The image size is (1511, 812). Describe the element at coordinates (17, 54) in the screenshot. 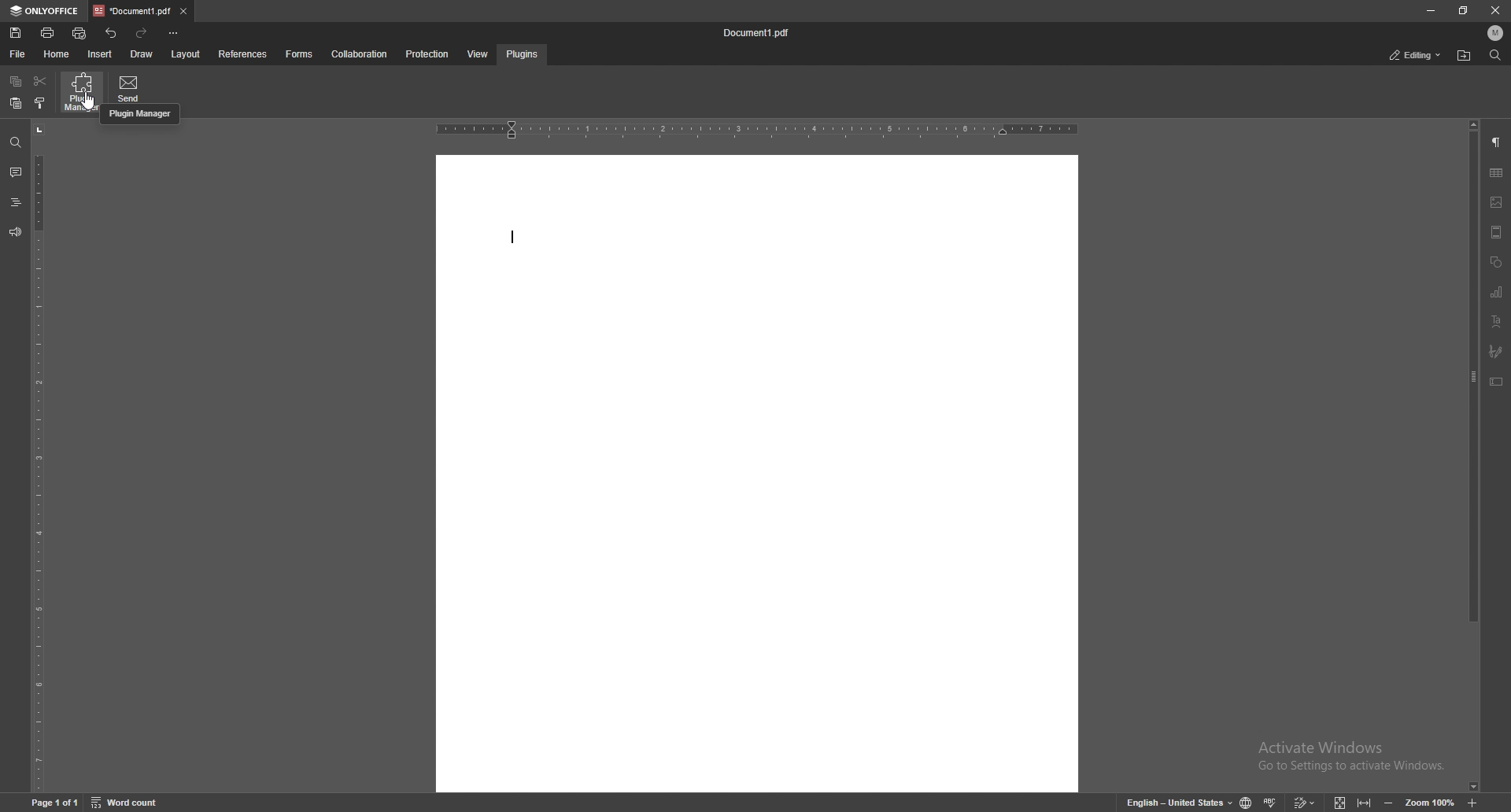

I see `file` at that location.